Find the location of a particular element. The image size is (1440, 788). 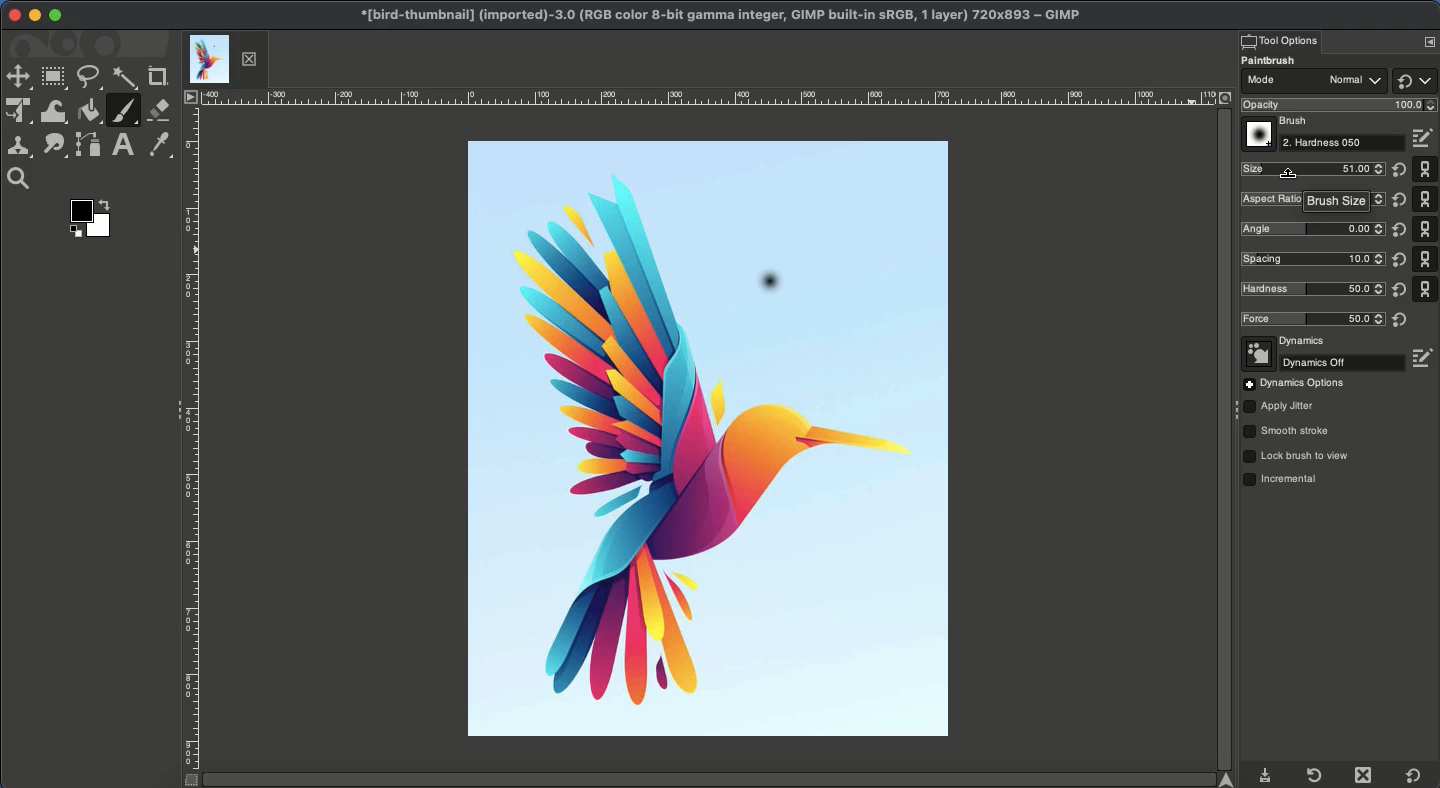

image is located at coordinates (701, 205).